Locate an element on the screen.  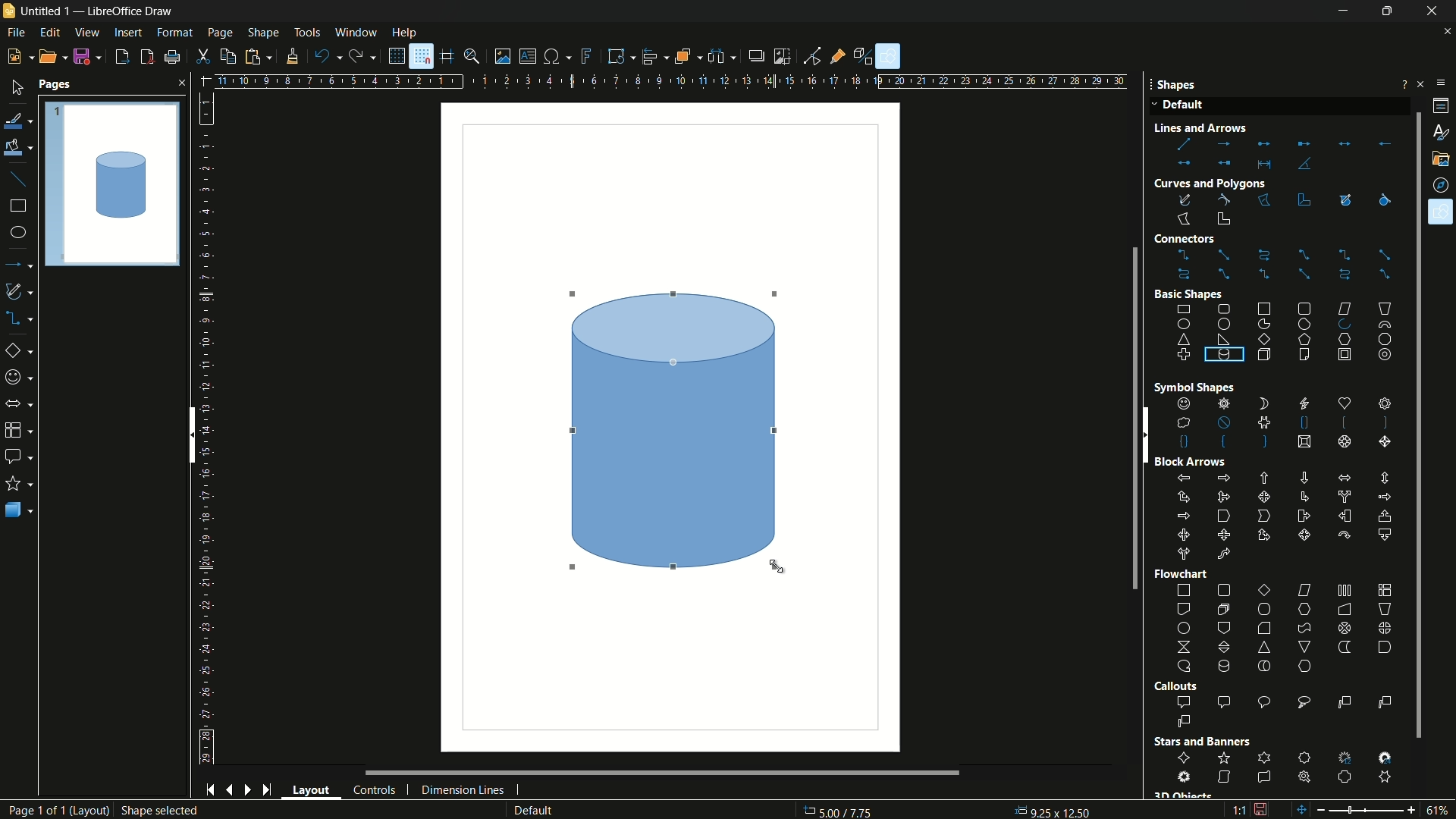
Resize Shape is located at coordinates (151, 811).